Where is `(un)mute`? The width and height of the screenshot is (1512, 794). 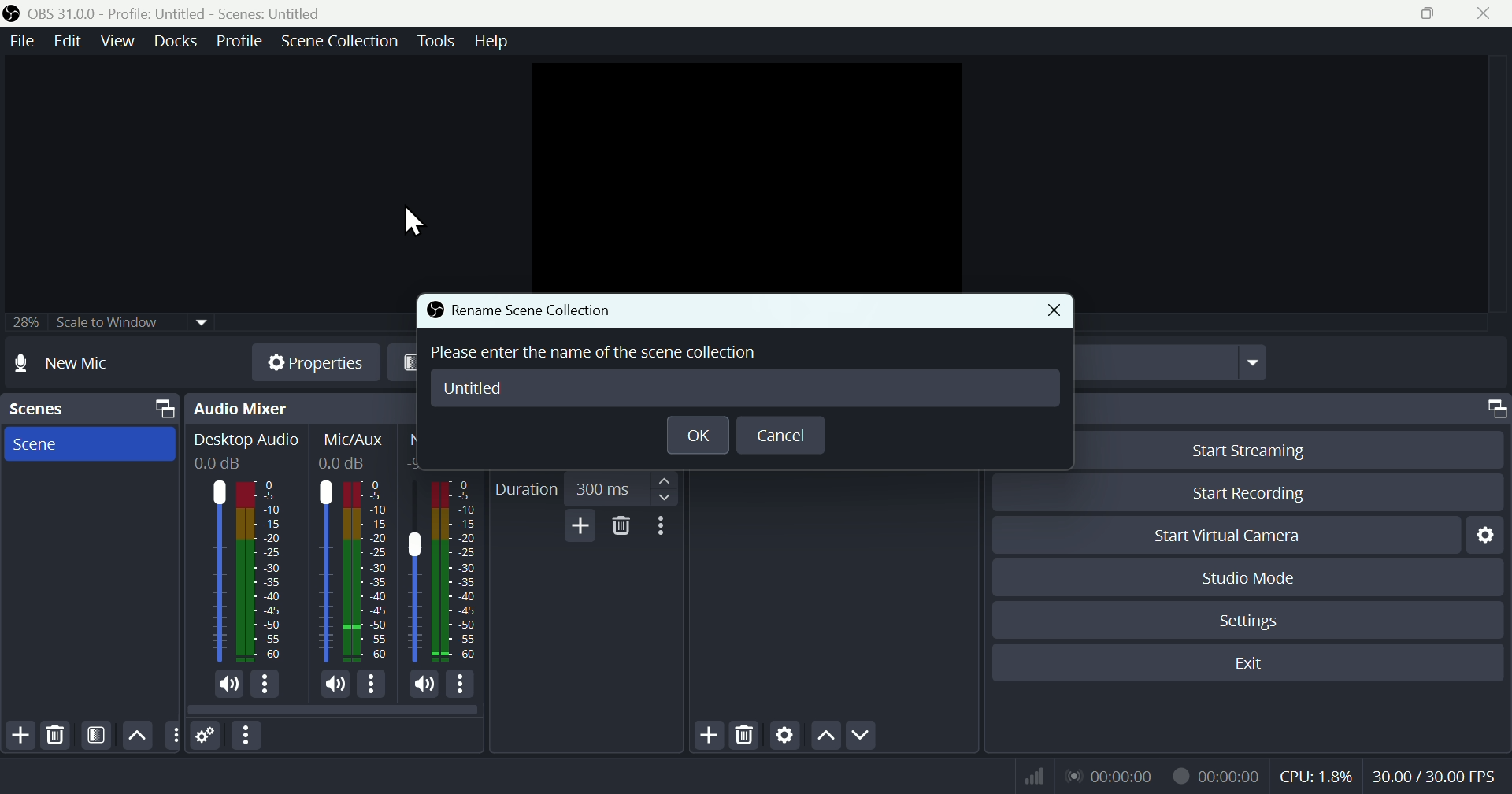 (un)mute is located at coordinates (334, 684).